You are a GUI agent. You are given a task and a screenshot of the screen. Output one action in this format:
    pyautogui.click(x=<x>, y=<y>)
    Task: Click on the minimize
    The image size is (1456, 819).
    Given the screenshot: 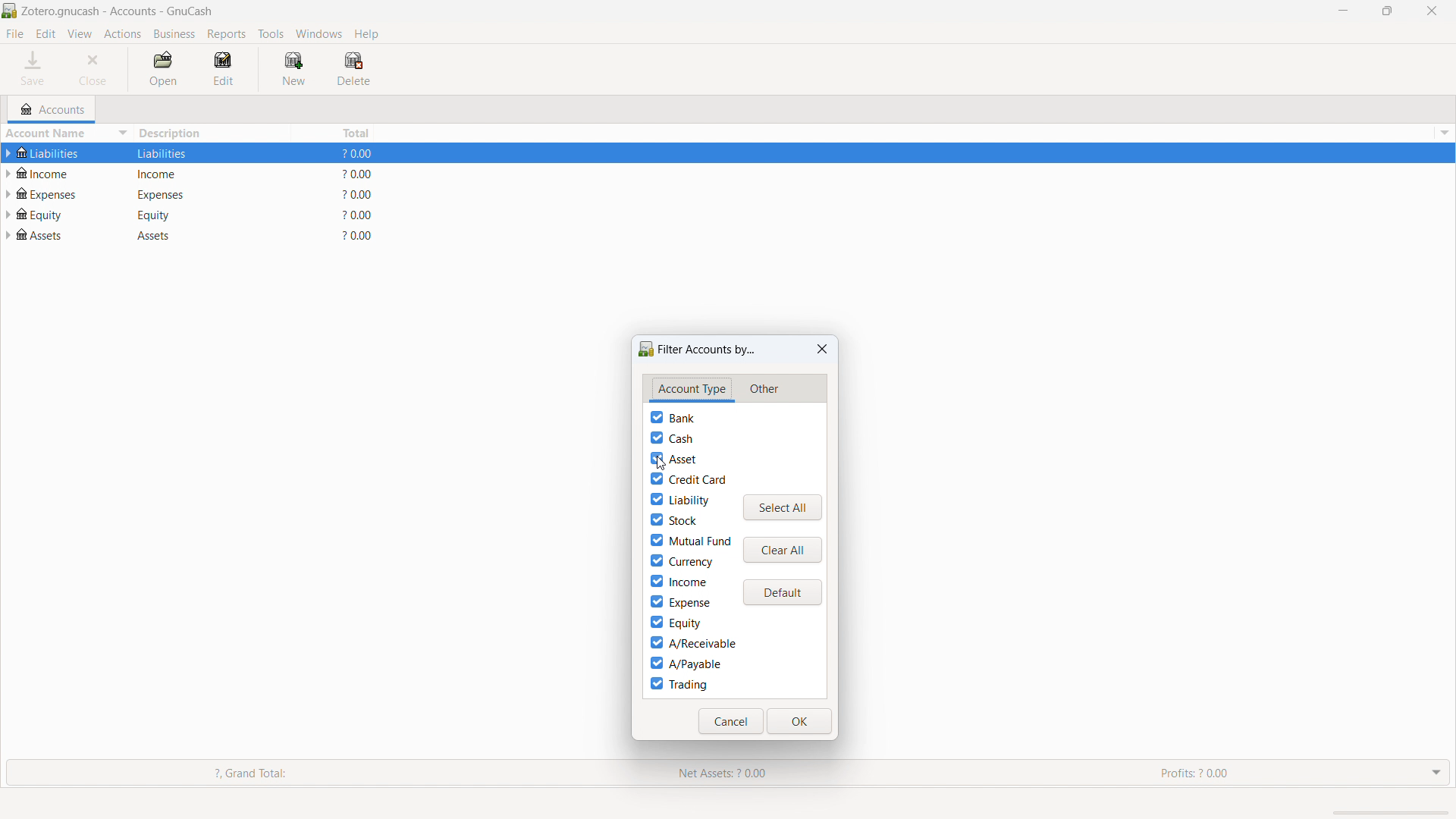 What is the action you would take?
    pyautogui.click(x=1341, y=10)
    